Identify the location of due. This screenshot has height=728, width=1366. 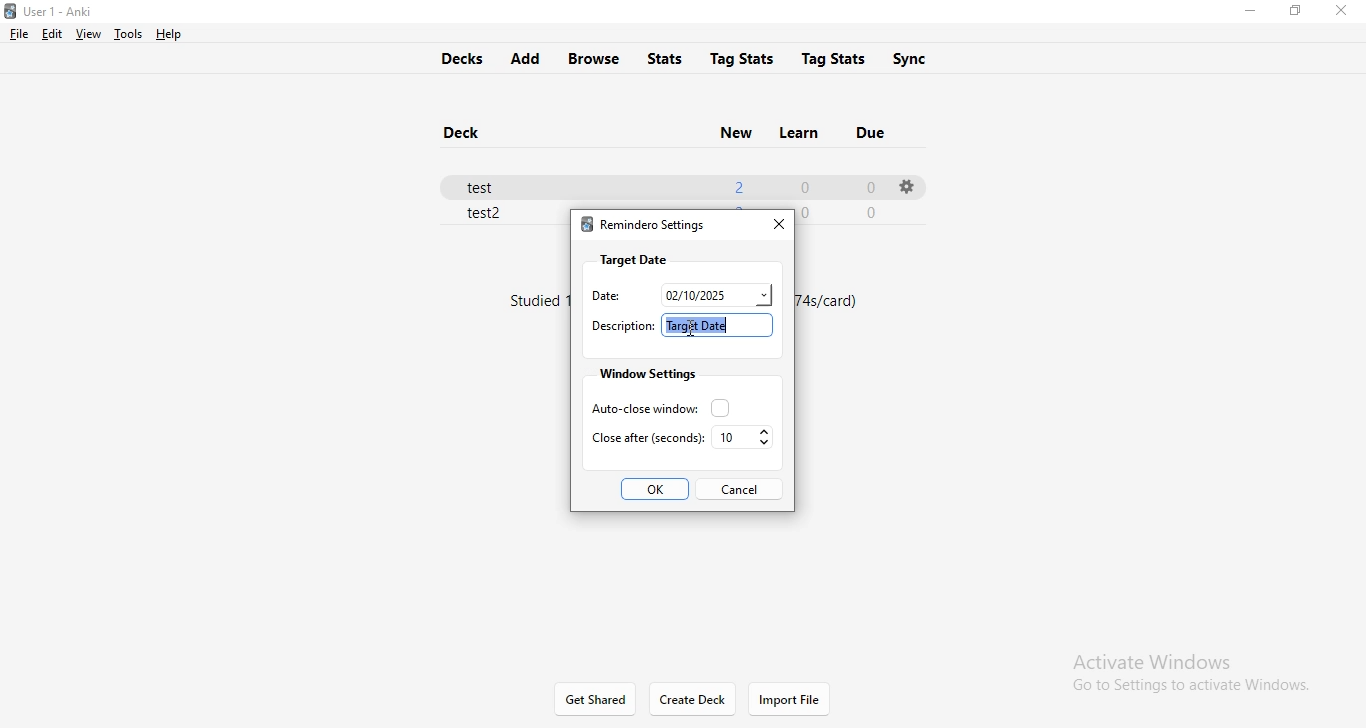
(874, 130).